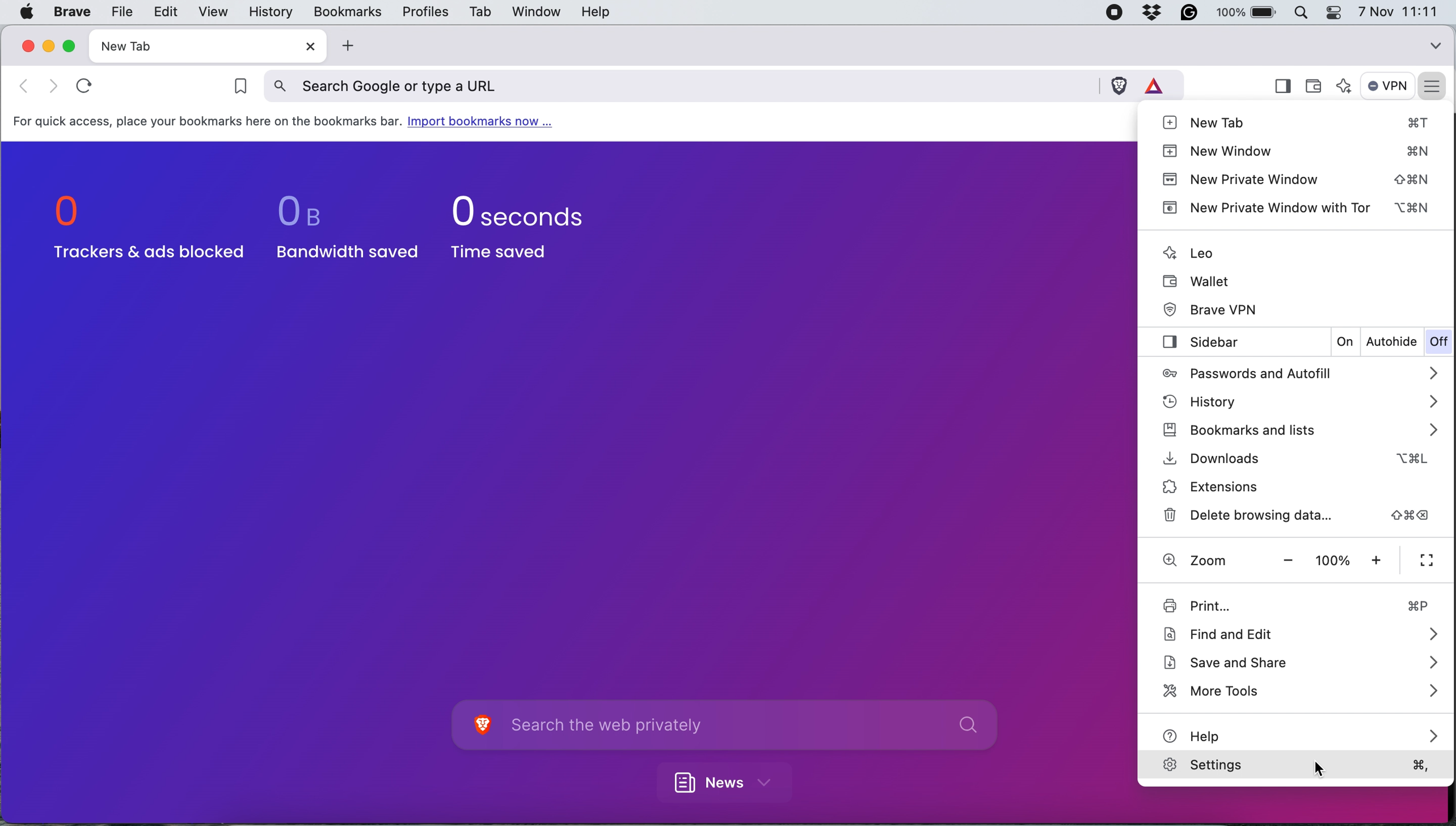 This screenshot has width=1456, height=826. What do you see at coordinates (1297, 399) in the screenshot?
I see `history` at bounding box center [1297, 399].